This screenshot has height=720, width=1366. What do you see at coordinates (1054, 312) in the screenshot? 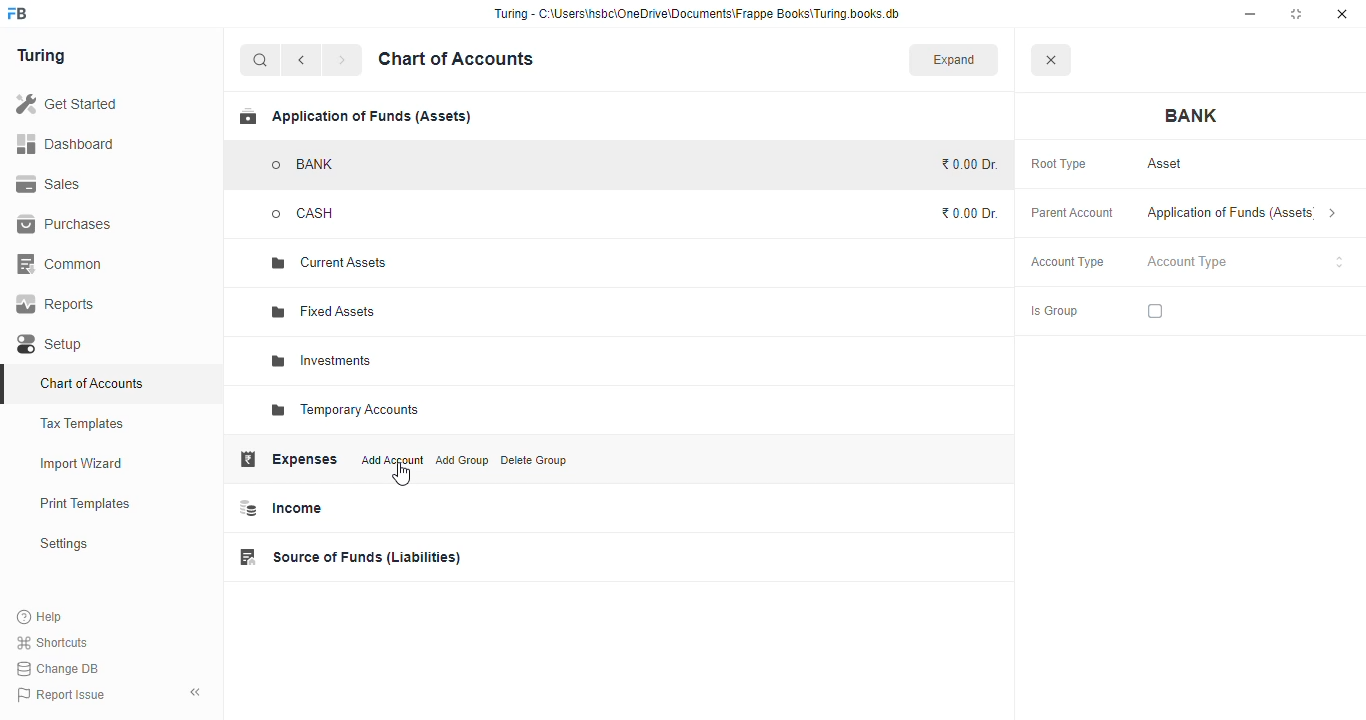
I see `is group` at bounding box center [1054, 312].